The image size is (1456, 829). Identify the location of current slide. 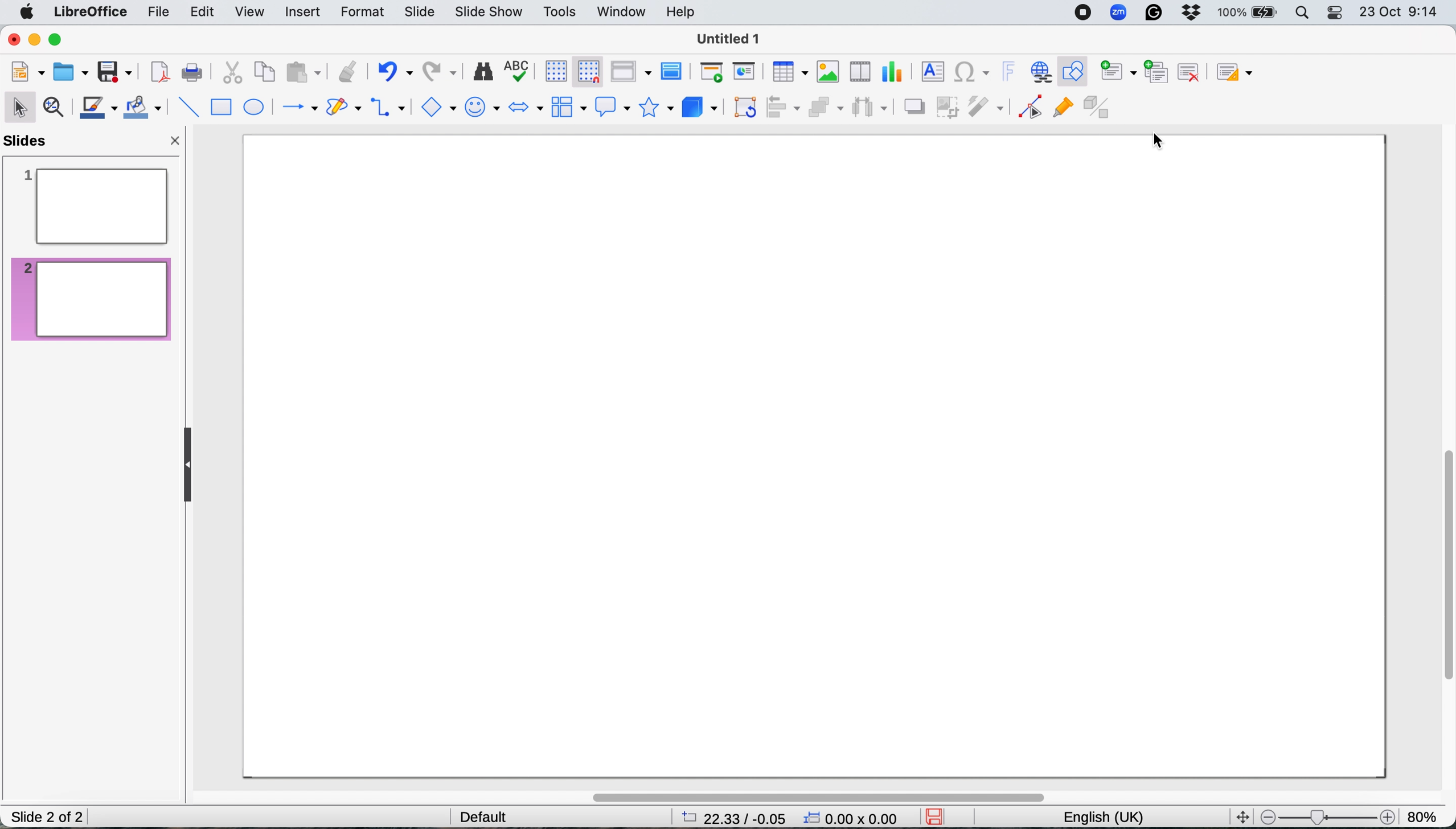
(91, 204).